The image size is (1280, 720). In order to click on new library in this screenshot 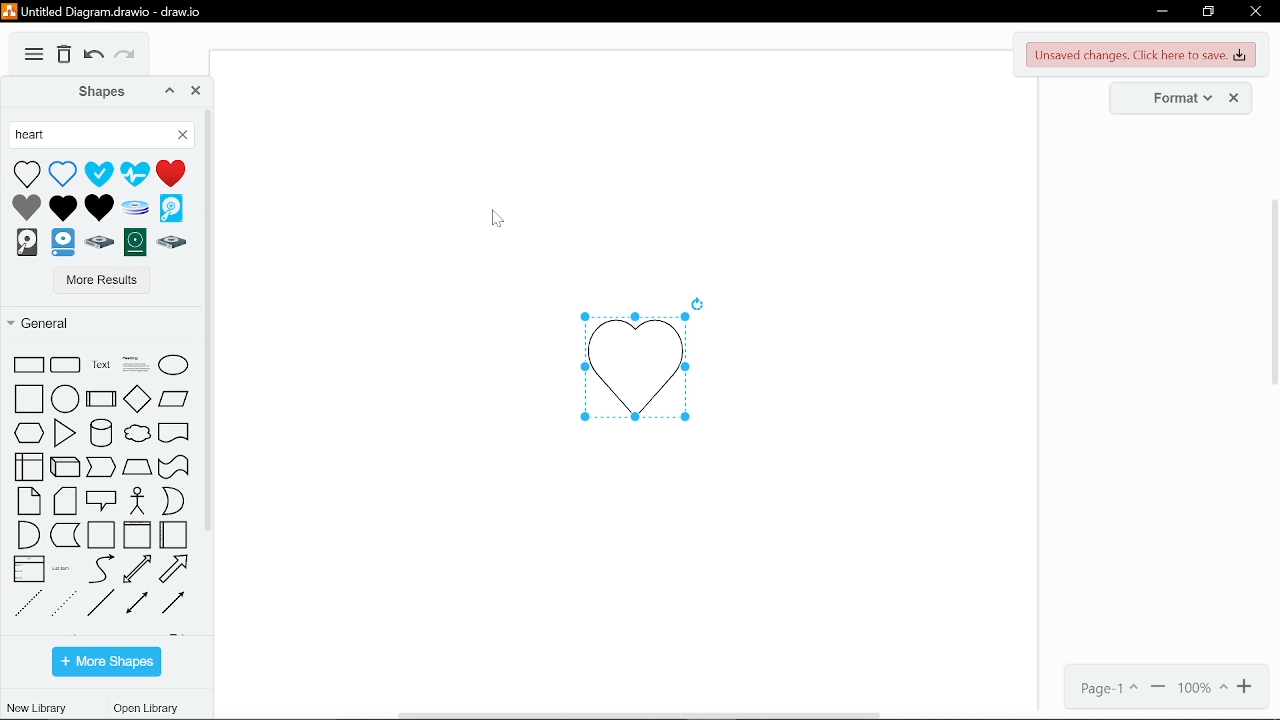, I will do `click(36, 707)`.